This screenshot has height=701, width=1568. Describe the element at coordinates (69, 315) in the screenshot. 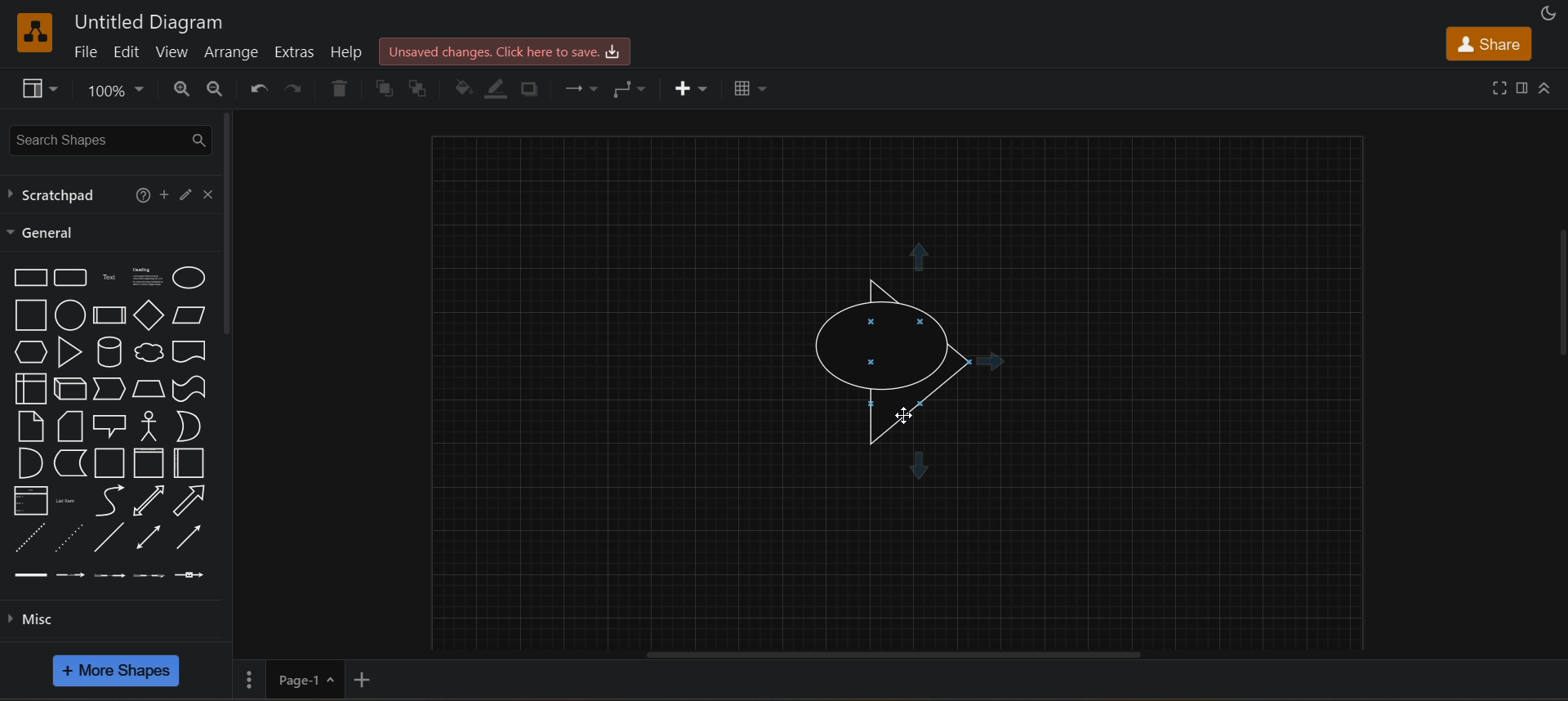

I see `circle` at that location.